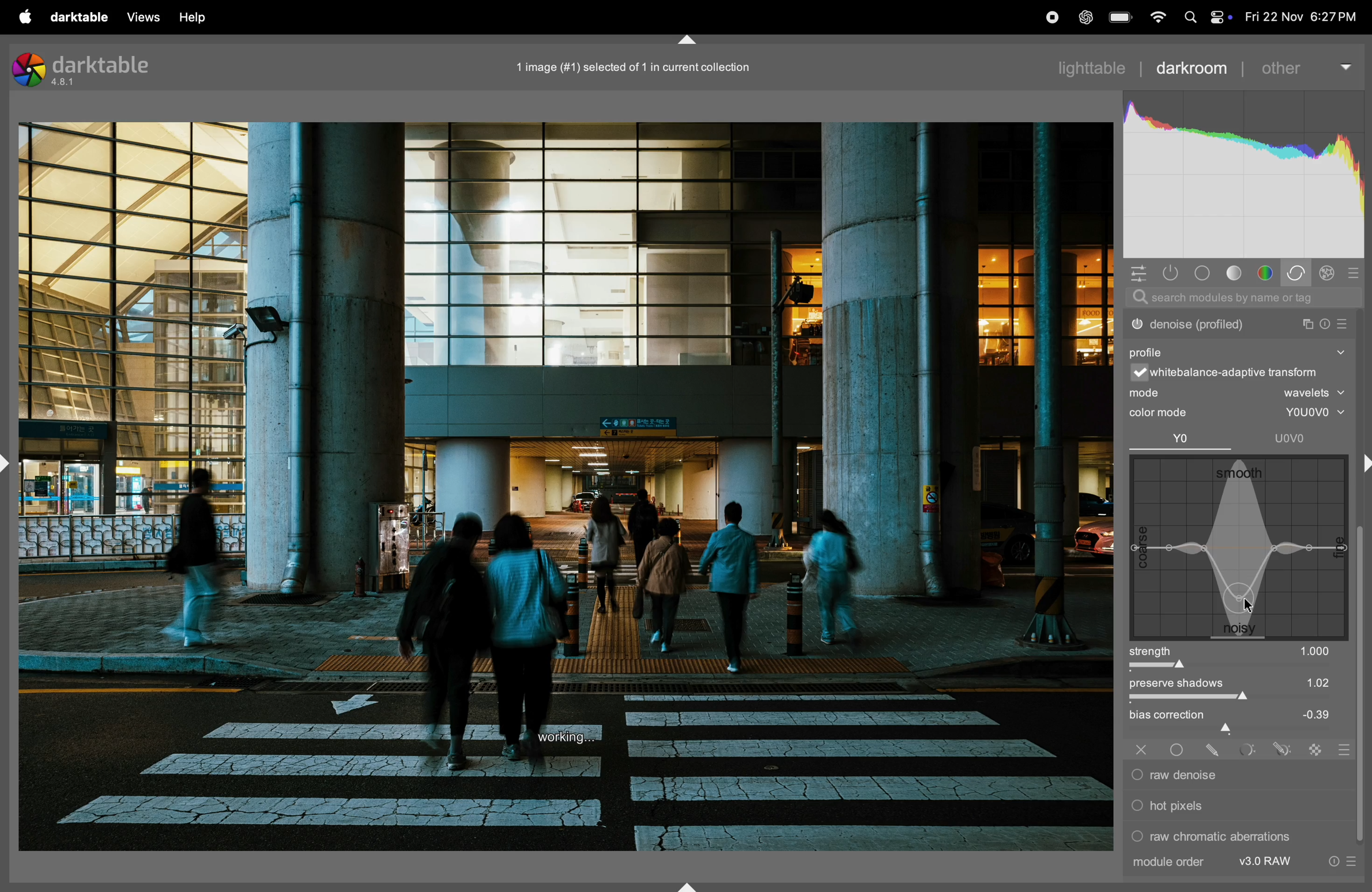 Image resolution: width=1372 pixels, height=892 pixels. Describe the element at coordinates (1087, 17) in the screenshot. I see `chatgpt` at that location.